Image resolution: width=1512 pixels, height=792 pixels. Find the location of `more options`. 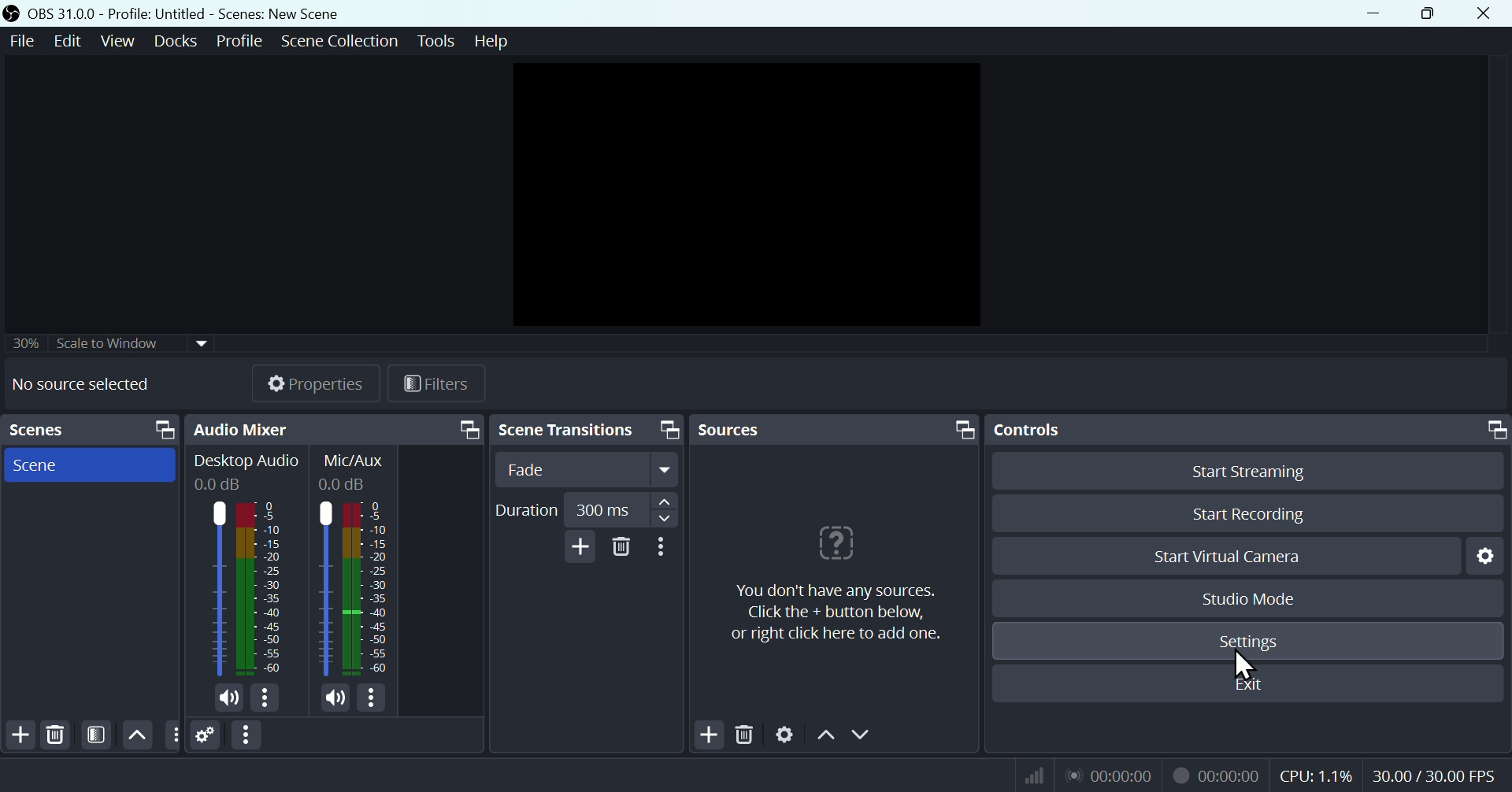

more options is located at coordinates (266, 698).